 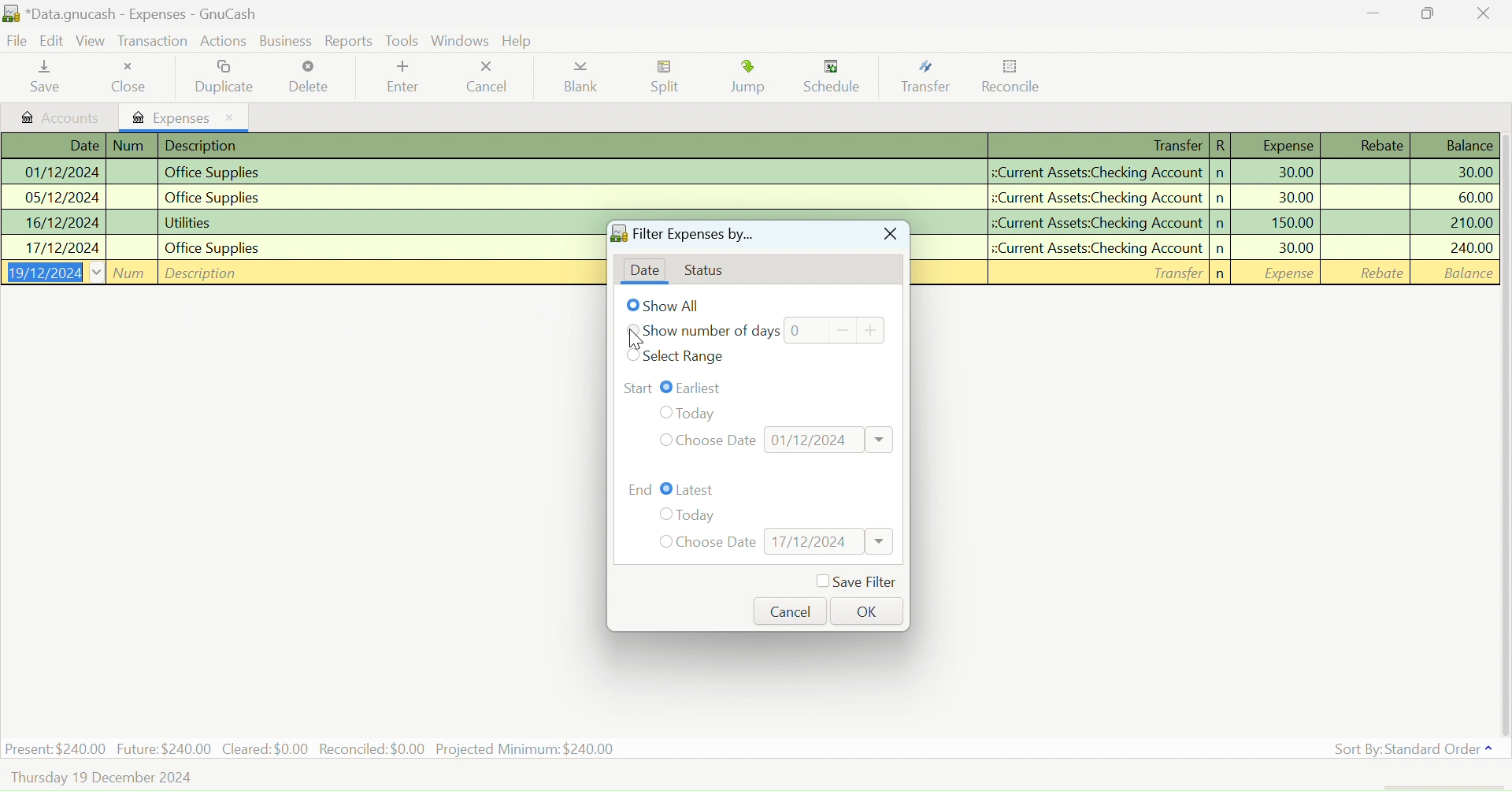 What do you see at coordinates (103, 778) in the screenshot?
I see `Thursday, 19 December 2024` at bounding box center [103, 778].